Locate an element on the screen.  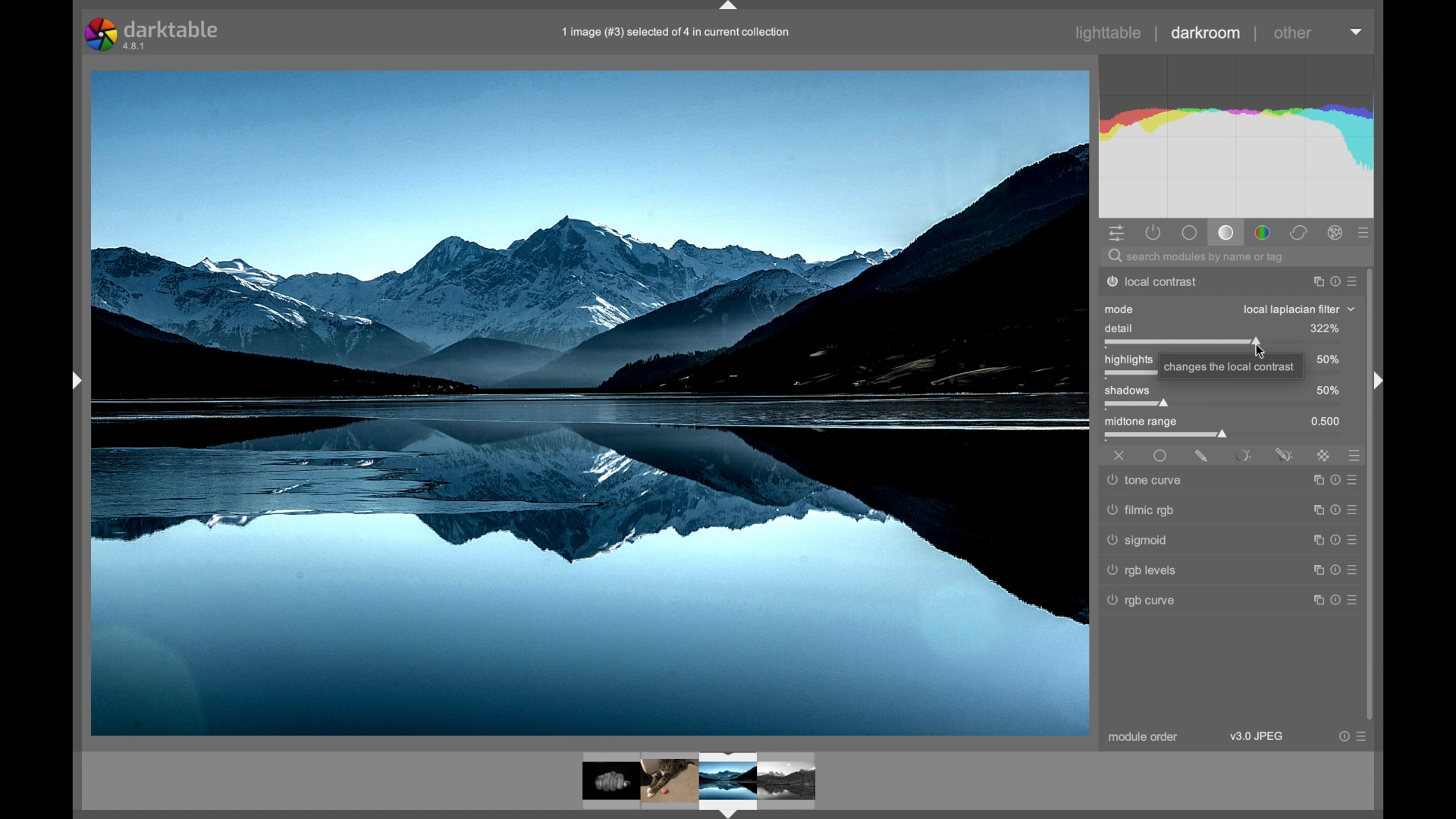
quick access panel is located at coordinates (1118, 234).